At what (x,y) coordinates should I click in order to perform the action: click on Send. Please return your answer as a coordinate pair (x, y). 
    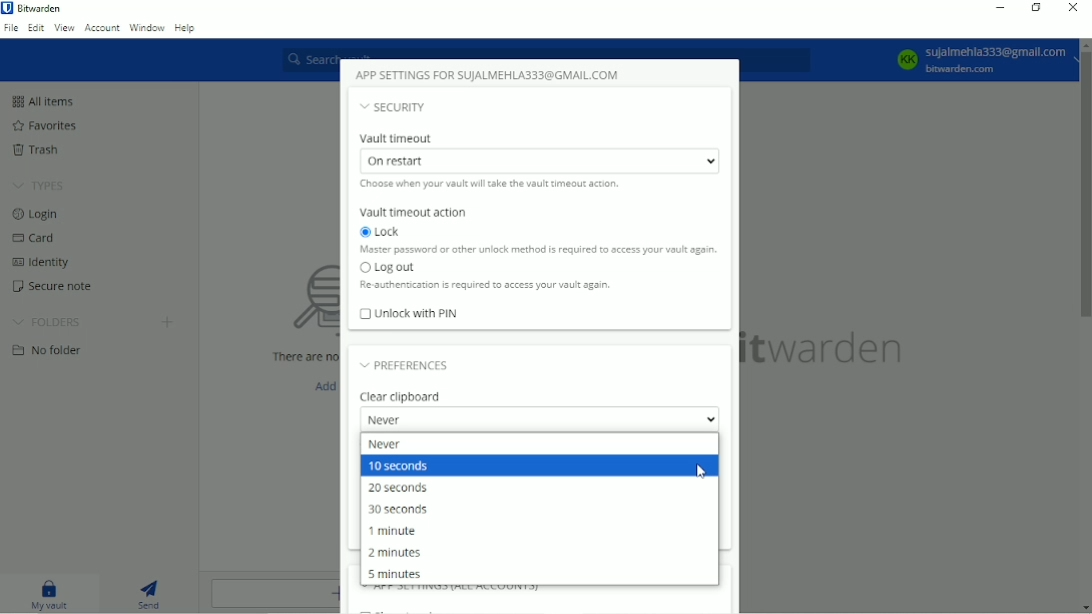
    Looking at the image, I should click on (150, 593).